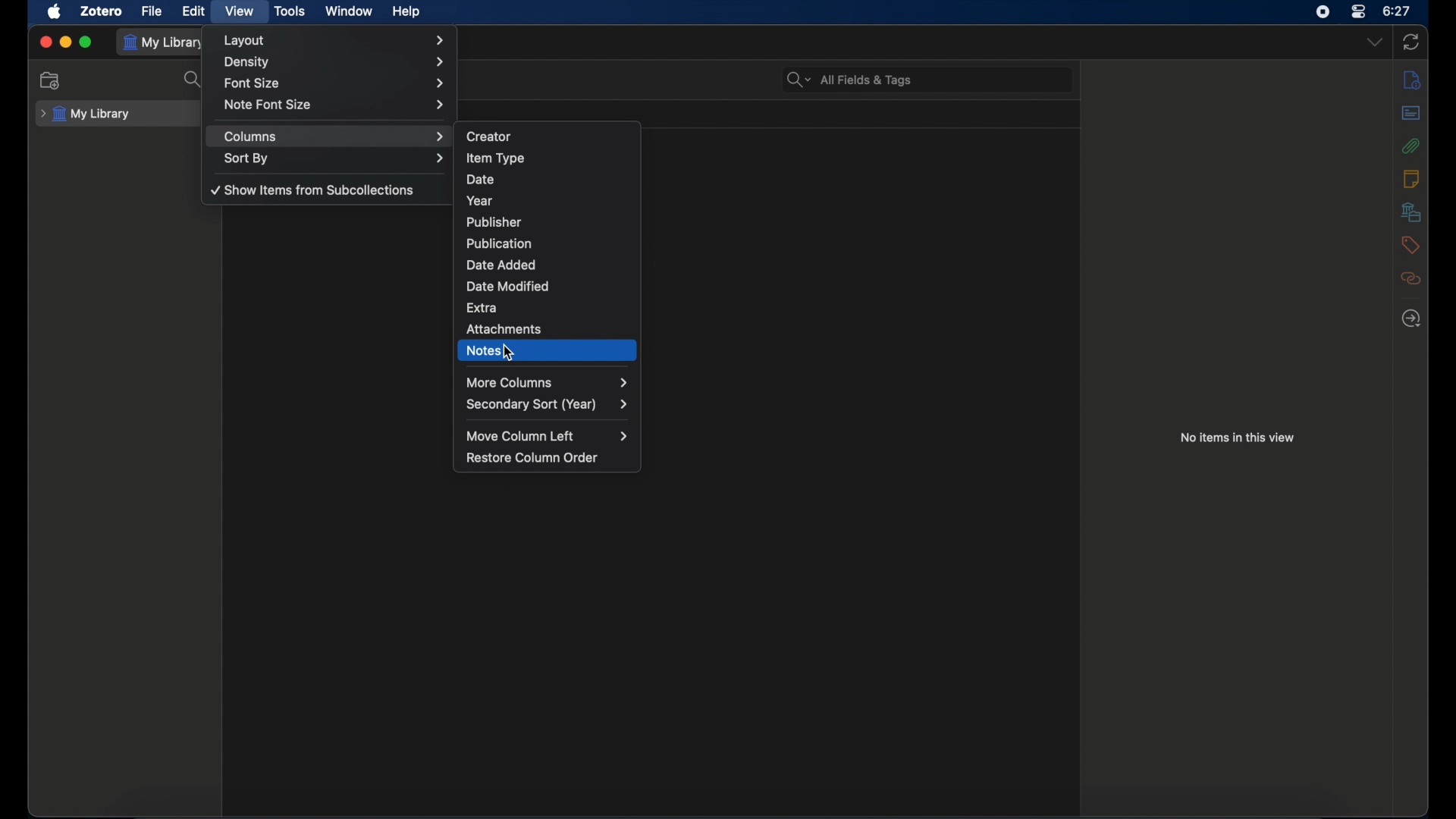  I want to click on minimize, so click(67, 42).